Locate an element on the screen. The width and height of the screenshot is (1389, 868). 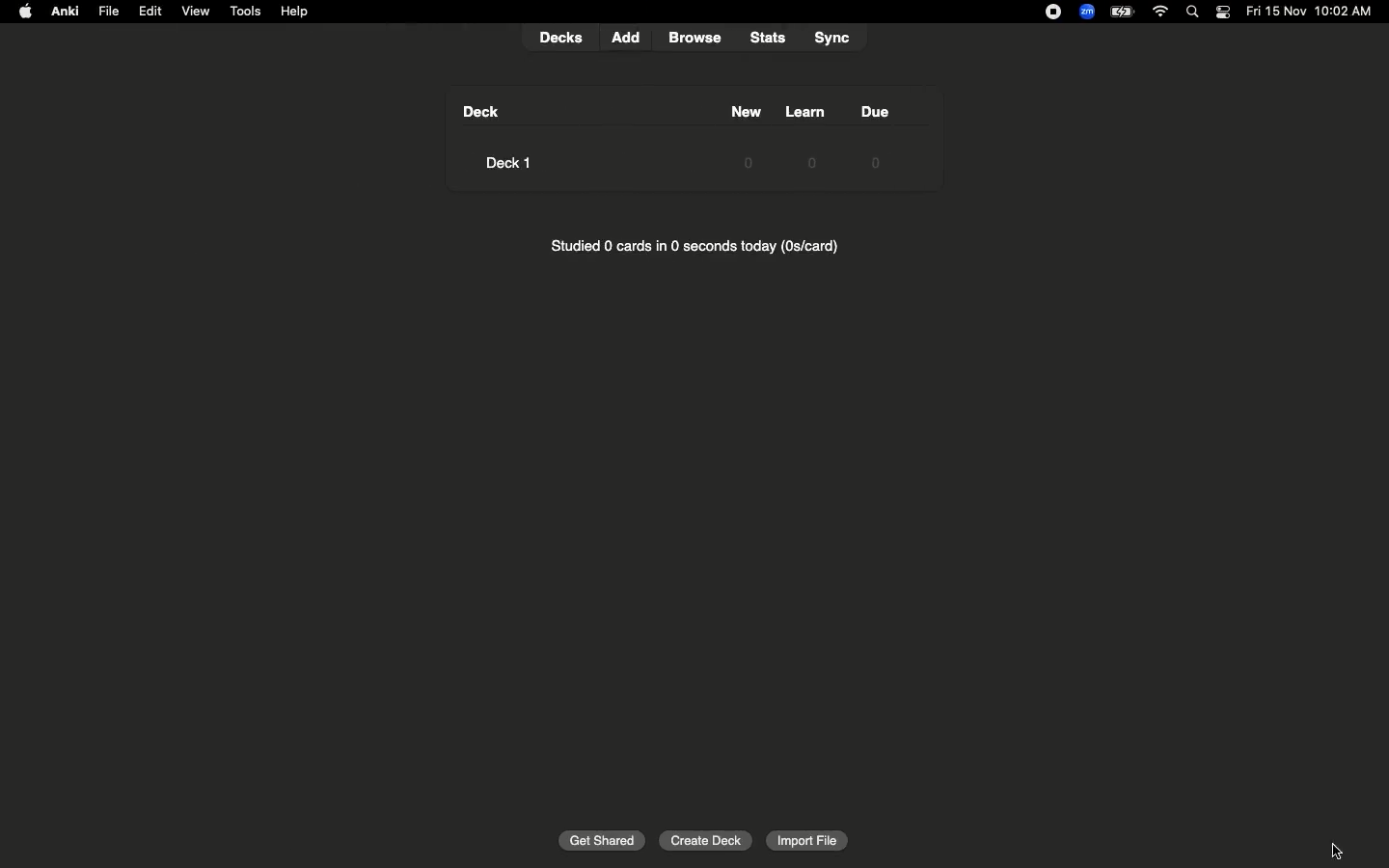
Deck 1 is located at coordinates (514, 162).